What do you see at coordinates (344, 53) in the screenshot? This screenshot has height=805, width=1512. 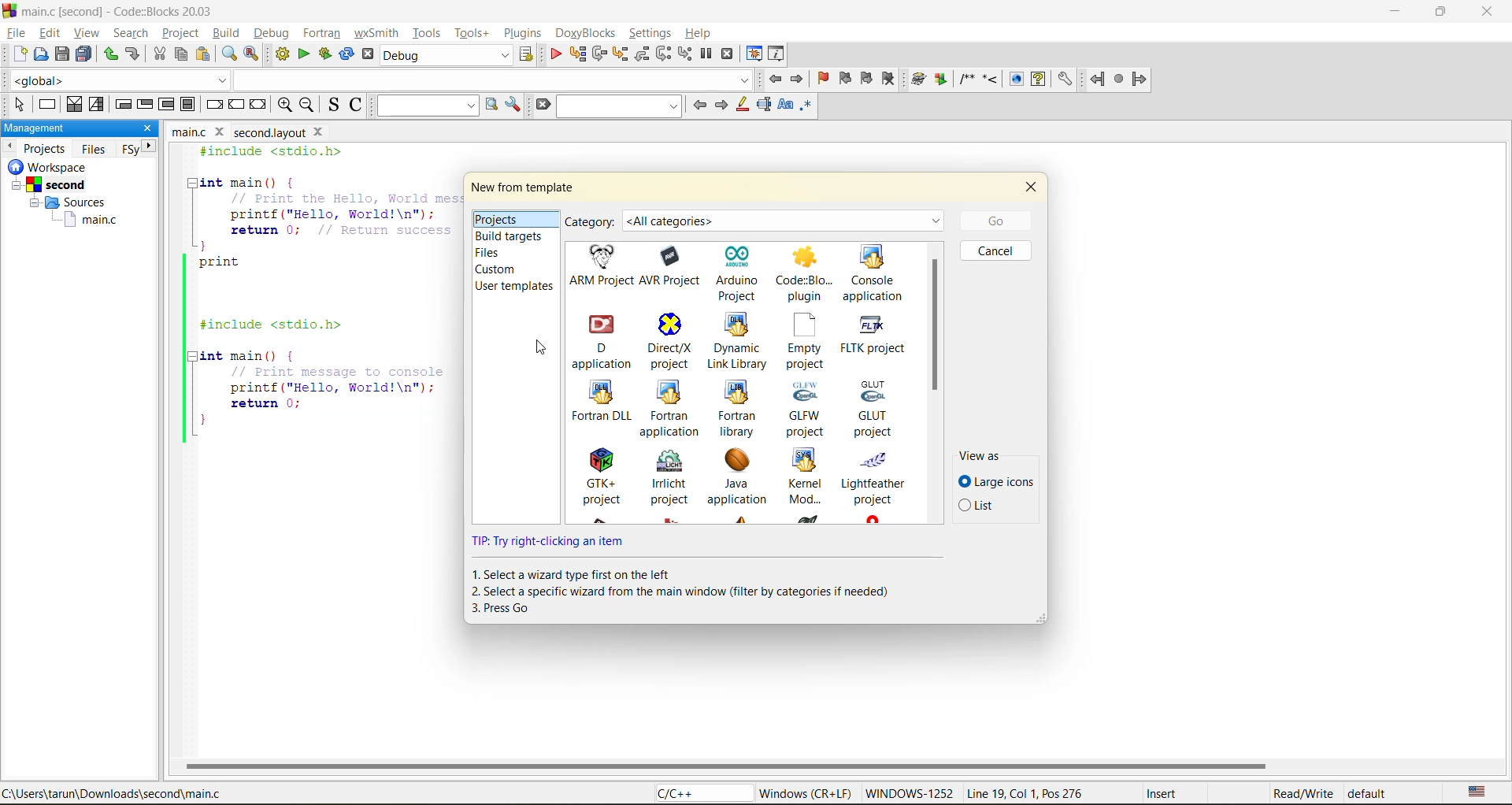 I see `rebuild` at bounding box center [344, 53].